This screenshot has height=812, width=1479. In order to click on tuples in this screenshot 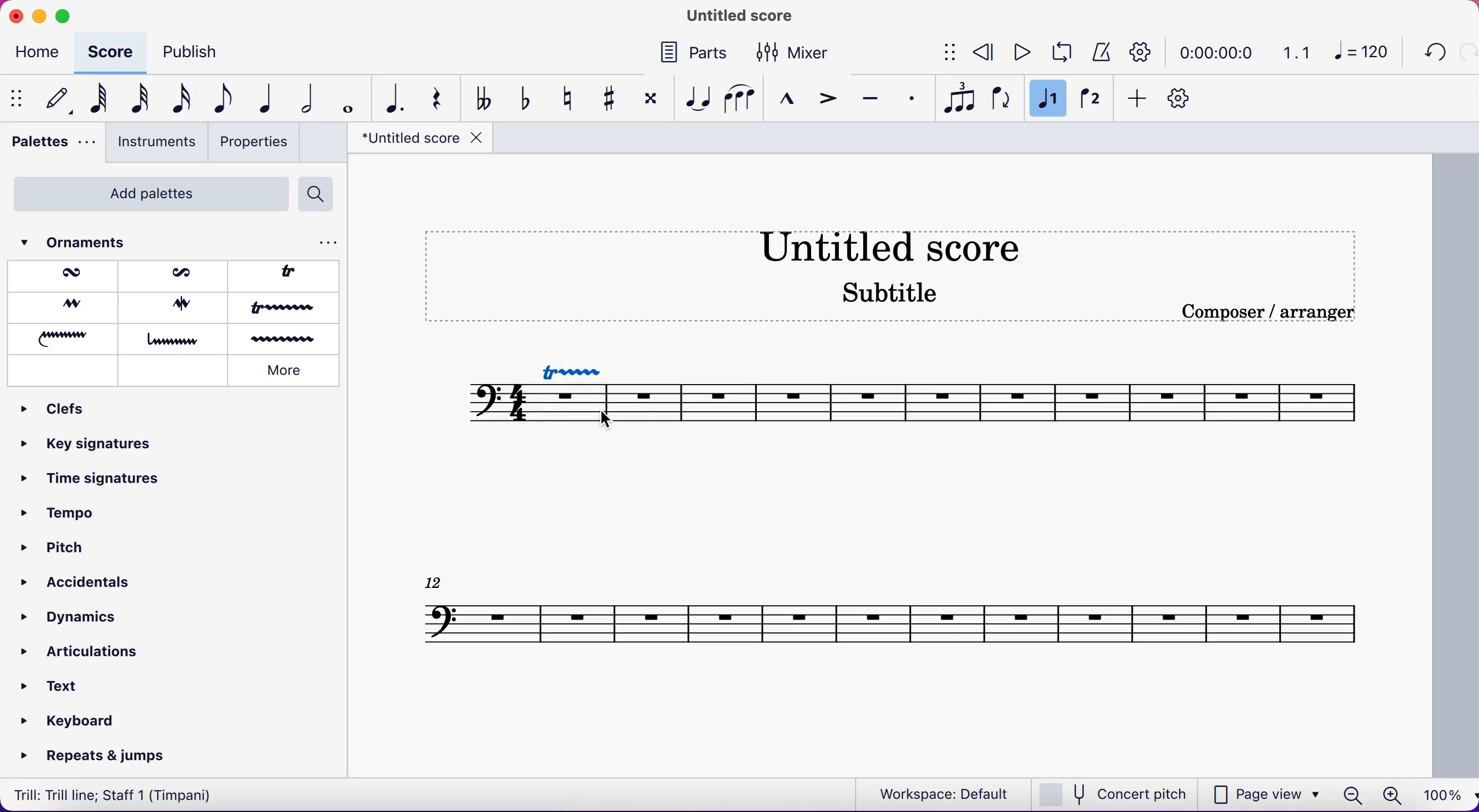, I will do `click(958, 100)`.